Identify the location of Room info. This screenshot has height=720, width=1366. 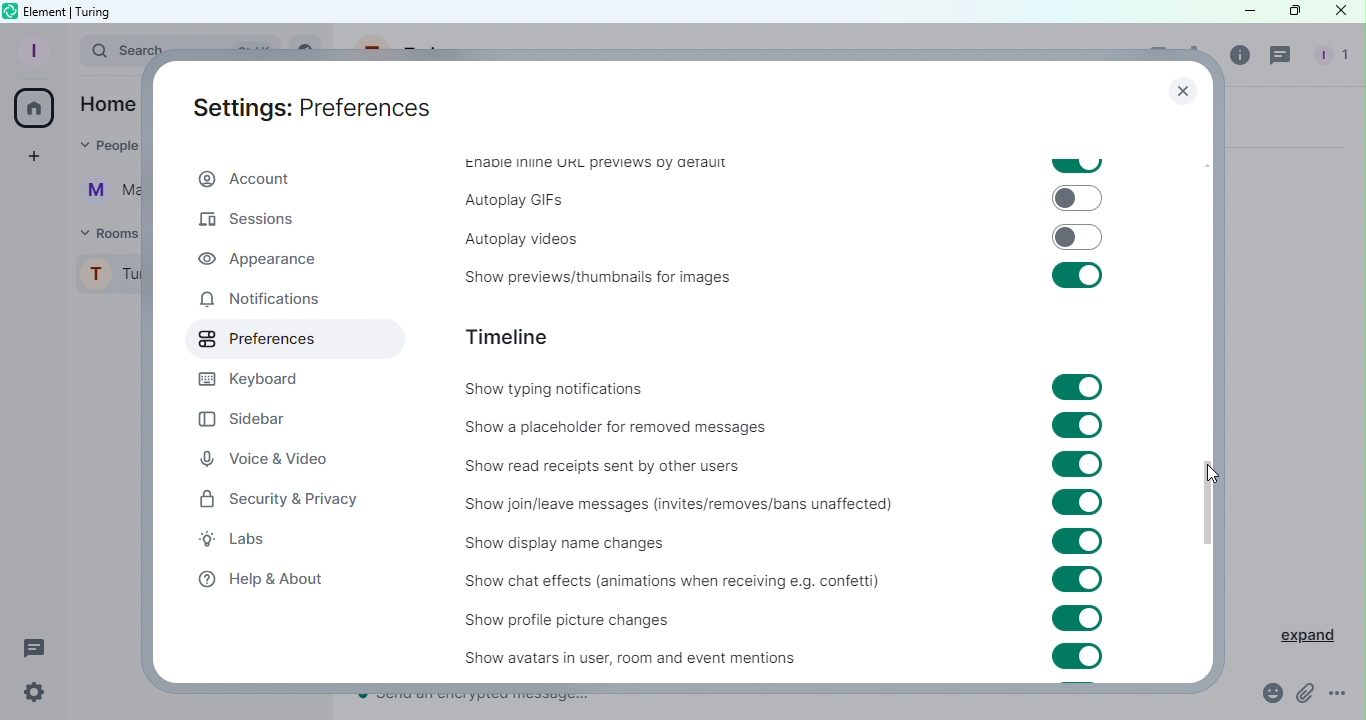
(1241, 60).